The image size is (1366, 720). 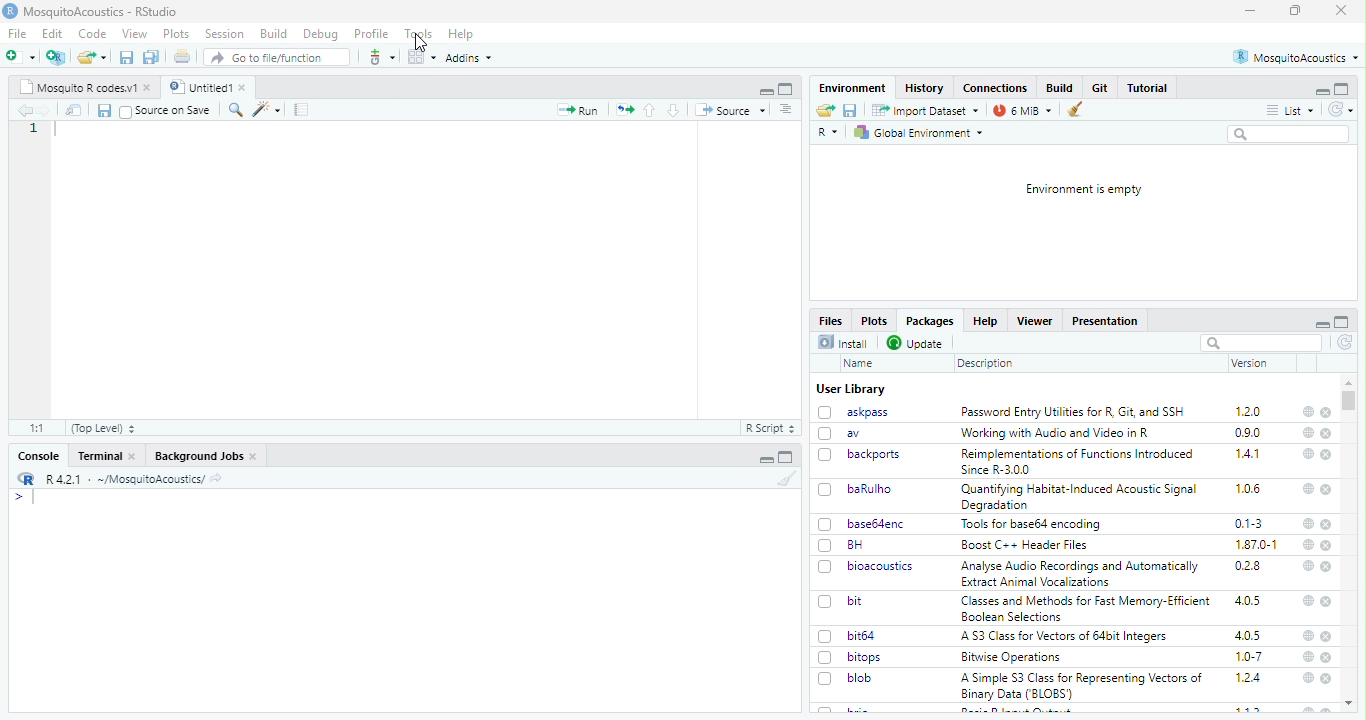 I want to click on scroll down, so click(x=1350, y=704).